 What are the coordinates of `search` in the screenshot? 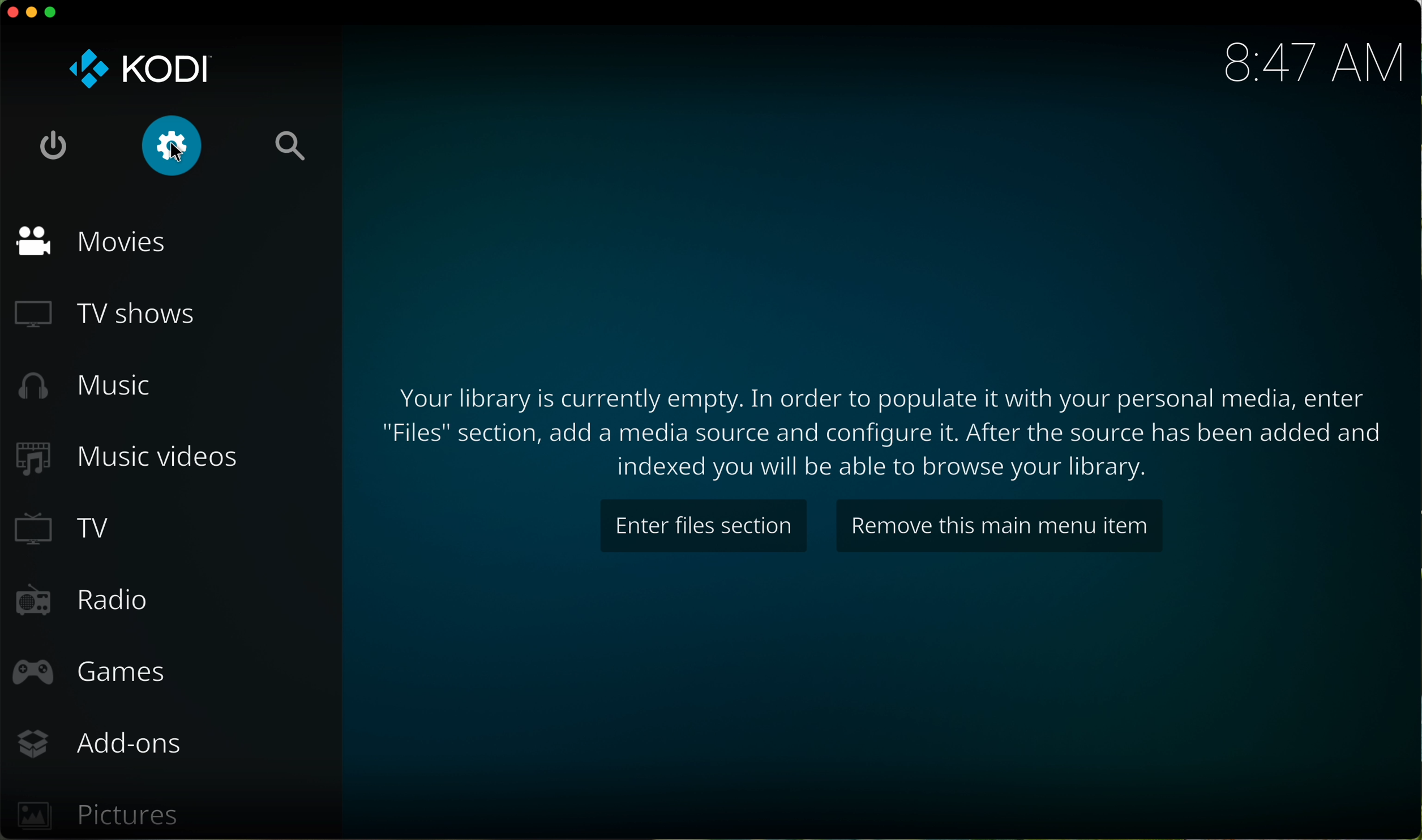 It's located at (294, 146).